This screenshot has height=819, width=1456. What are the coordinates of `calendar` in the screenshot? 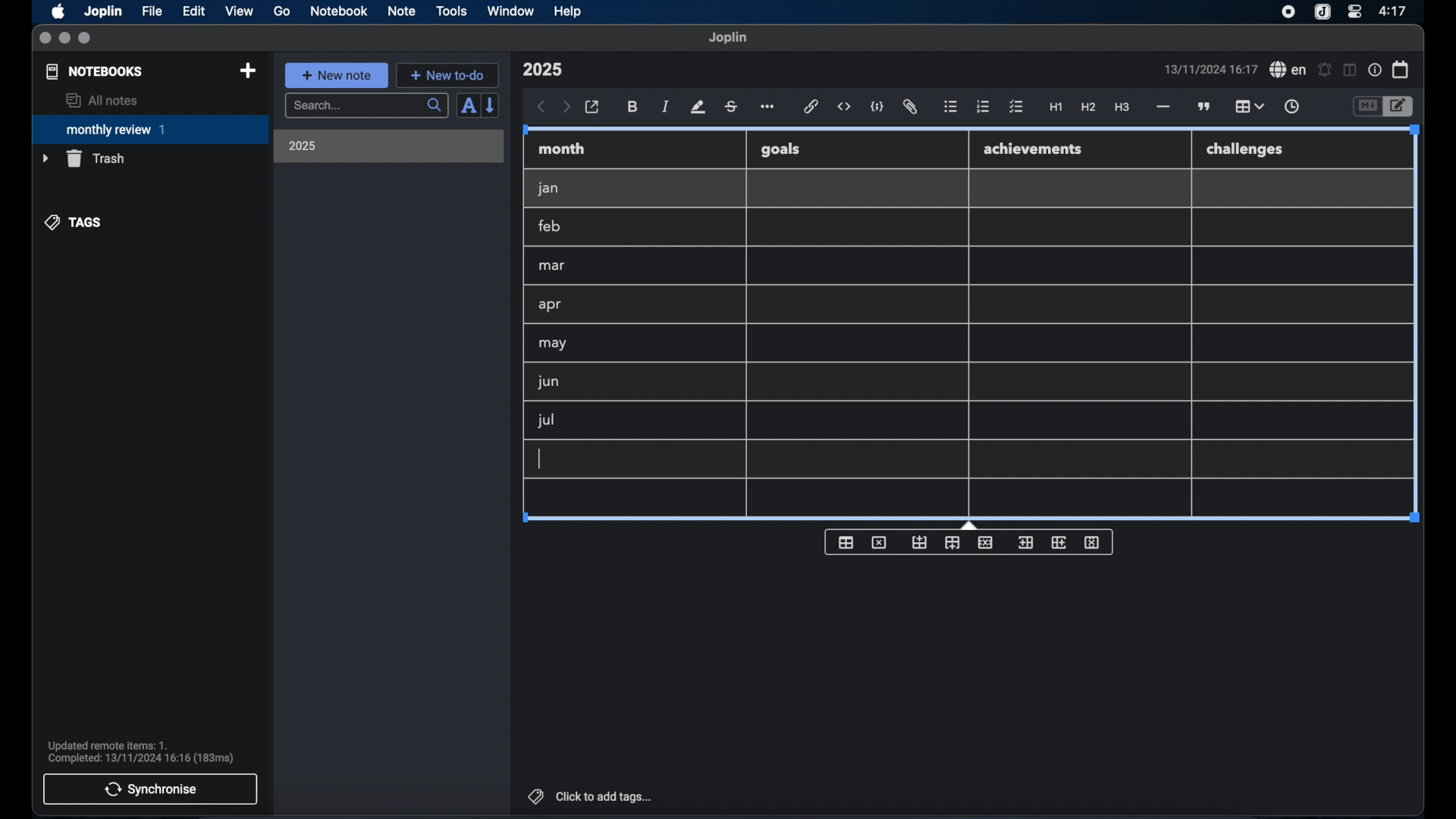 It's located at (1401, 69).